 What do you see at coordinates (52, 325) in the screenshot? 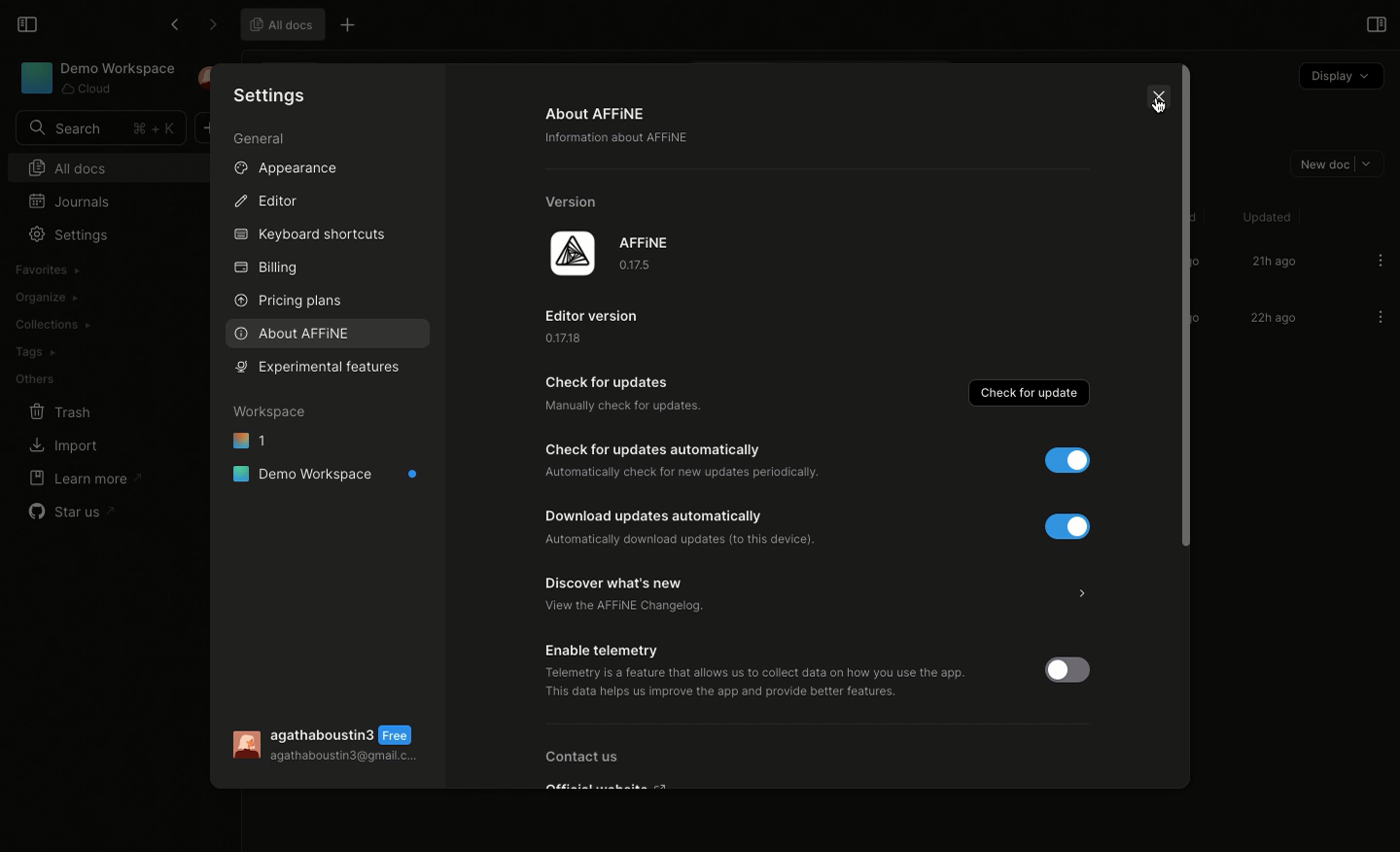
I see `Collections` at bounding box center [52, 325].